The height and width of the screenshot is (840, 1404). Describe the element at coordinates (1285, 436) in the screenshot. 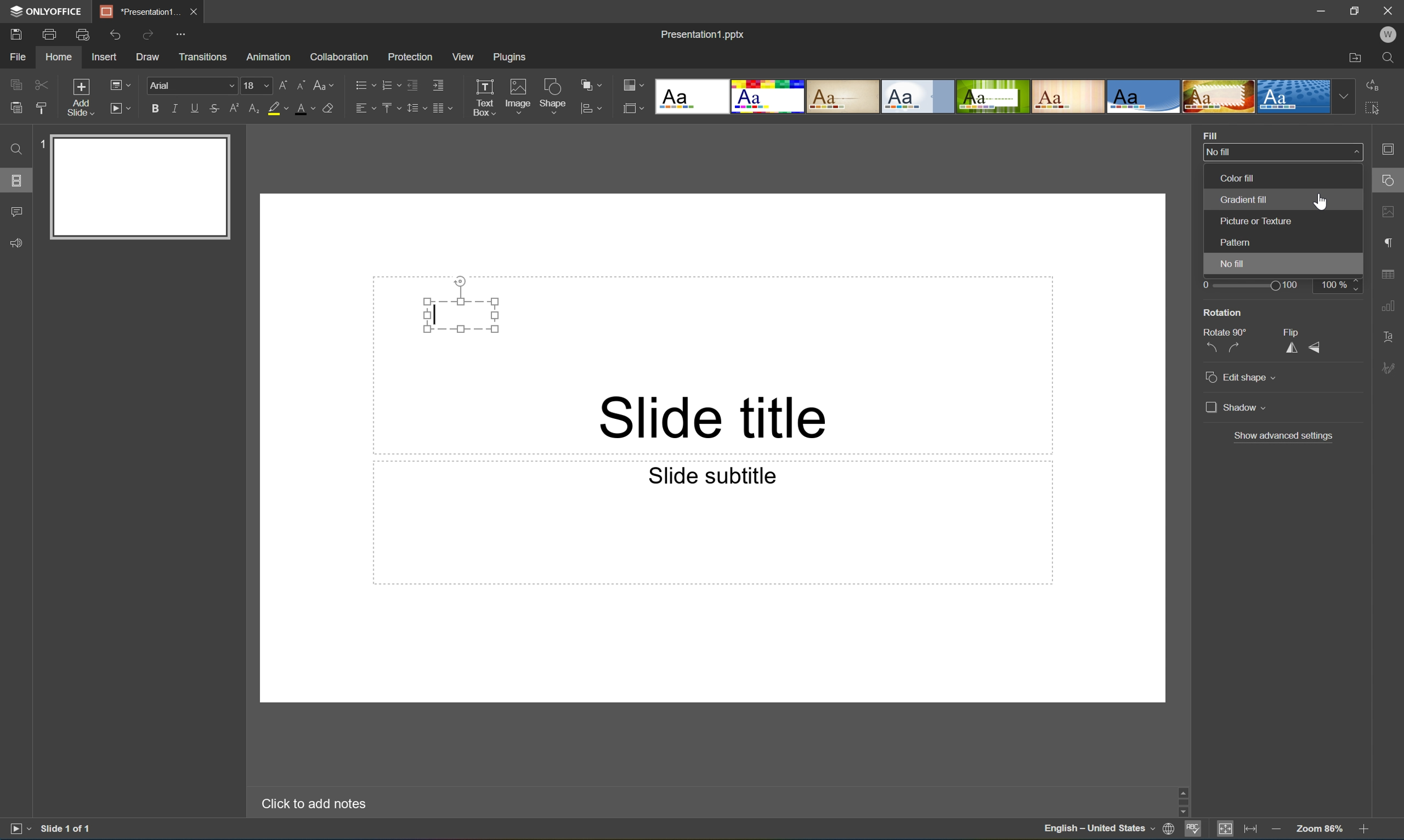

I see `Show advanced settings` at that location.